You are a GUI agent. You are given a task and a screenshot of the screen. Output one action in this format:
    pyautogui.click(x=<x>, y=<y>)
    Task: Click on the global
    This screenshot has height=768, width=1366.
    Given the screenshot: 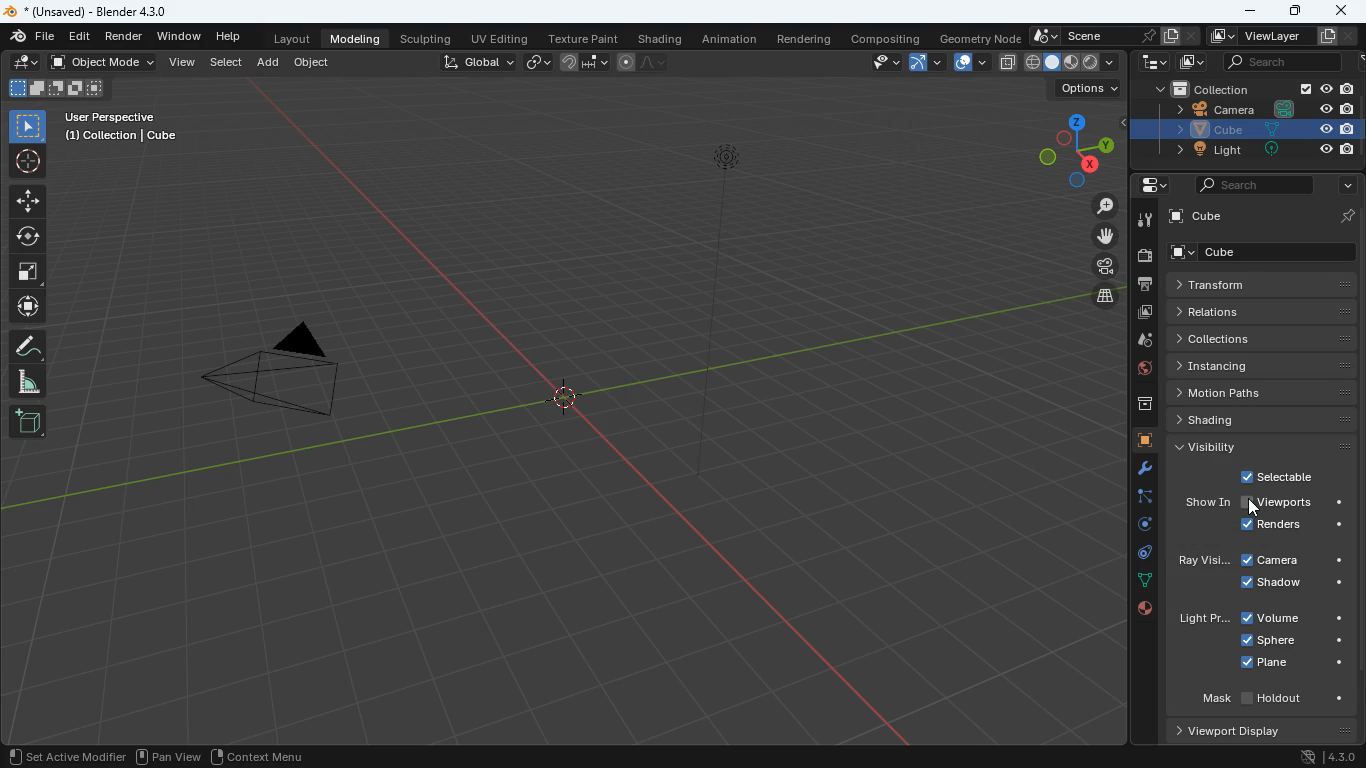 What is the action you would take?
    pyautogui.click(x=470, y=63)
    